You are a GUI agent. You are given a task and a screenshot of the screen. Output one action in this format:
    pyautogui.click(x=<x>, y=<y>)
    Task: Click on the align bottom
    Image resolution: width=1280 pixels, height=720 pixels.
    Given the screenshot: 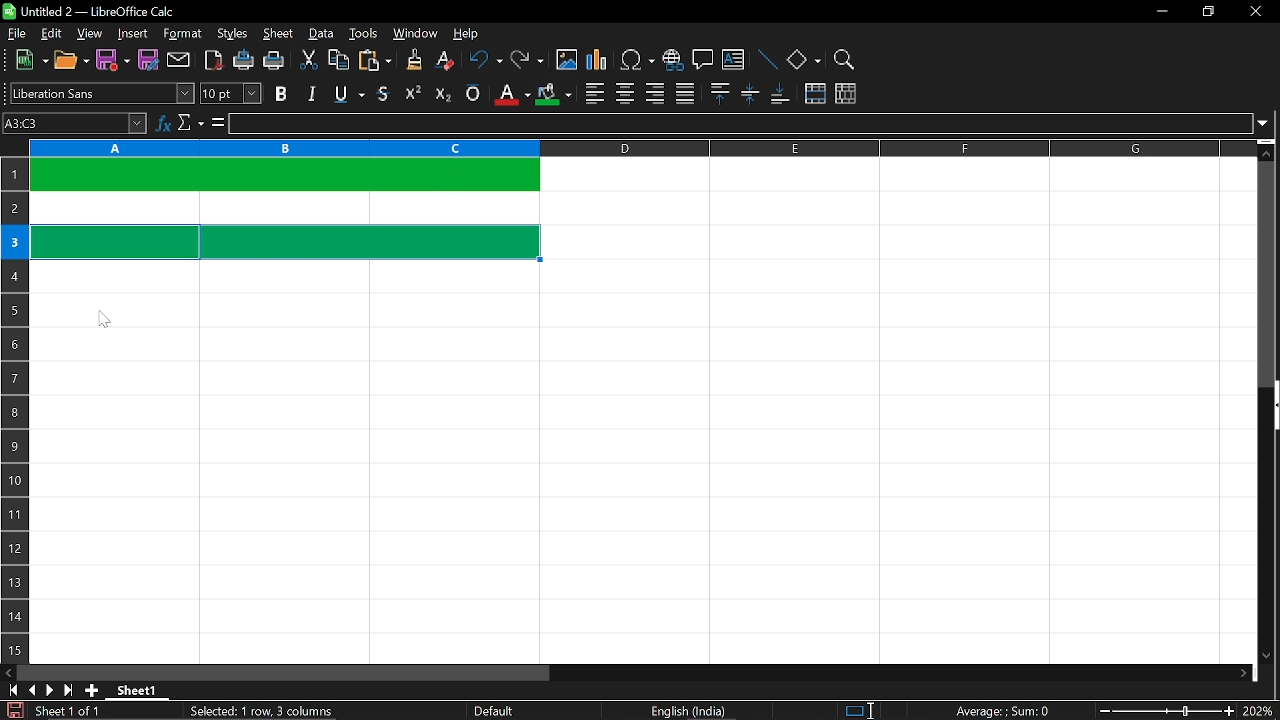 What is the action you would take?
    pyautogui.click(x=779, y=95)
    